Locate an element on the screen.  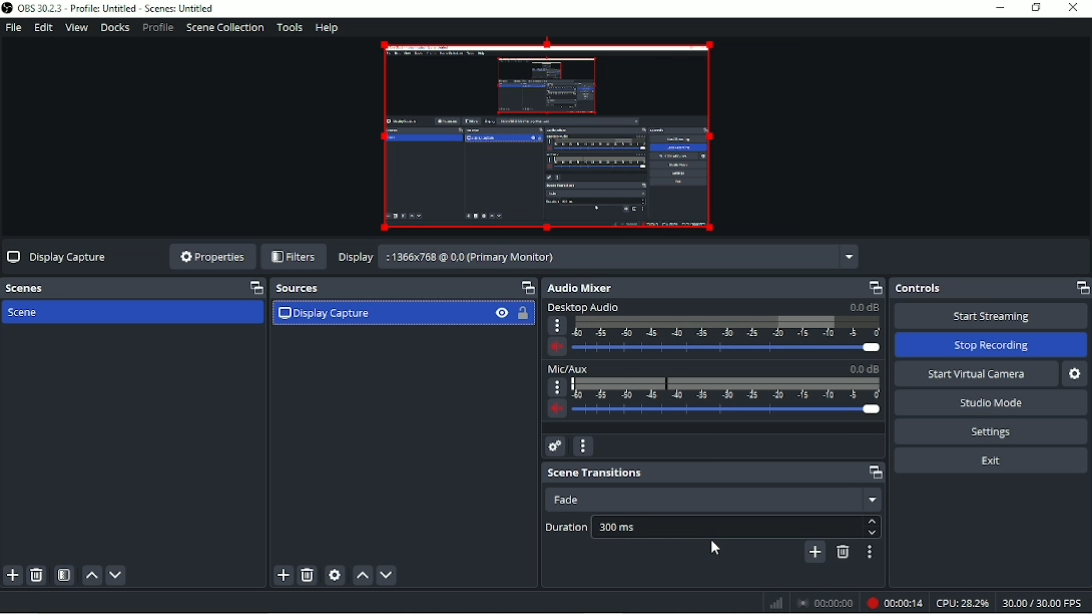
Move scene down is located at coordinates (122, 573).